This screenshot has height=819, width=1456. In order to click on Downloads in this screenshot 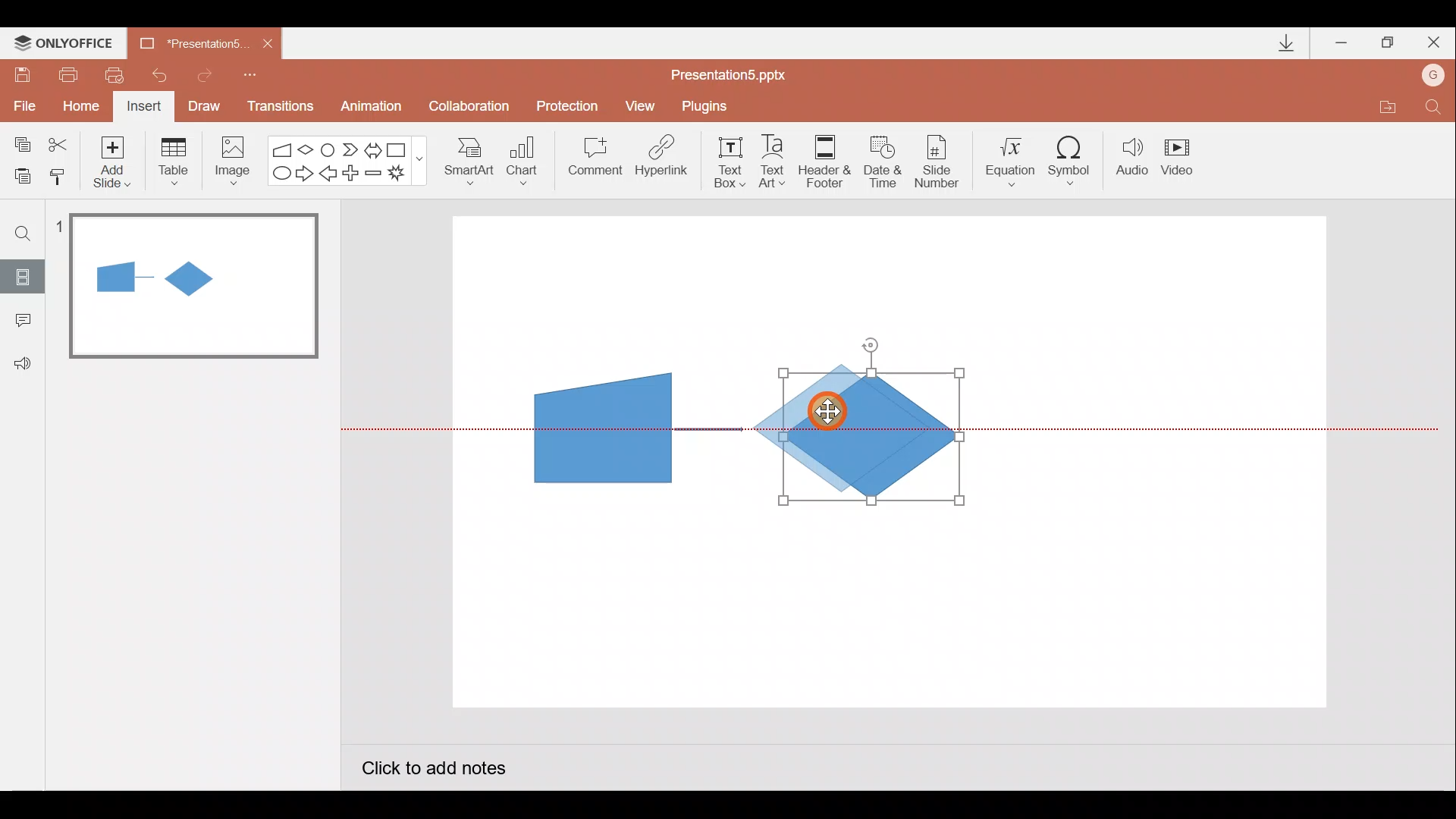, I will do `click(1284, 44)`.